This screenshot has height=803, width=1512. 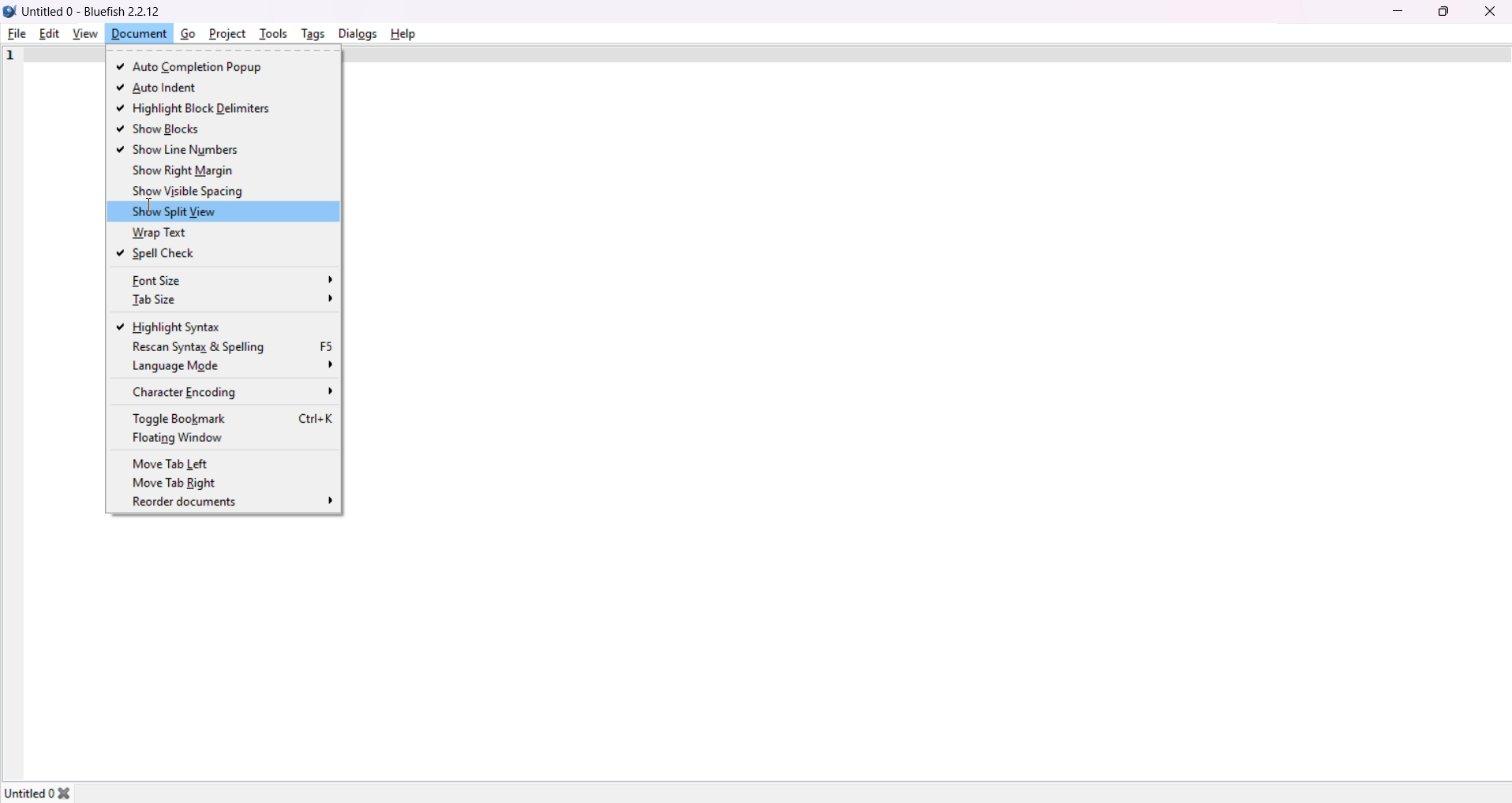 I want to click on dialog, so click(x=356, y=32).